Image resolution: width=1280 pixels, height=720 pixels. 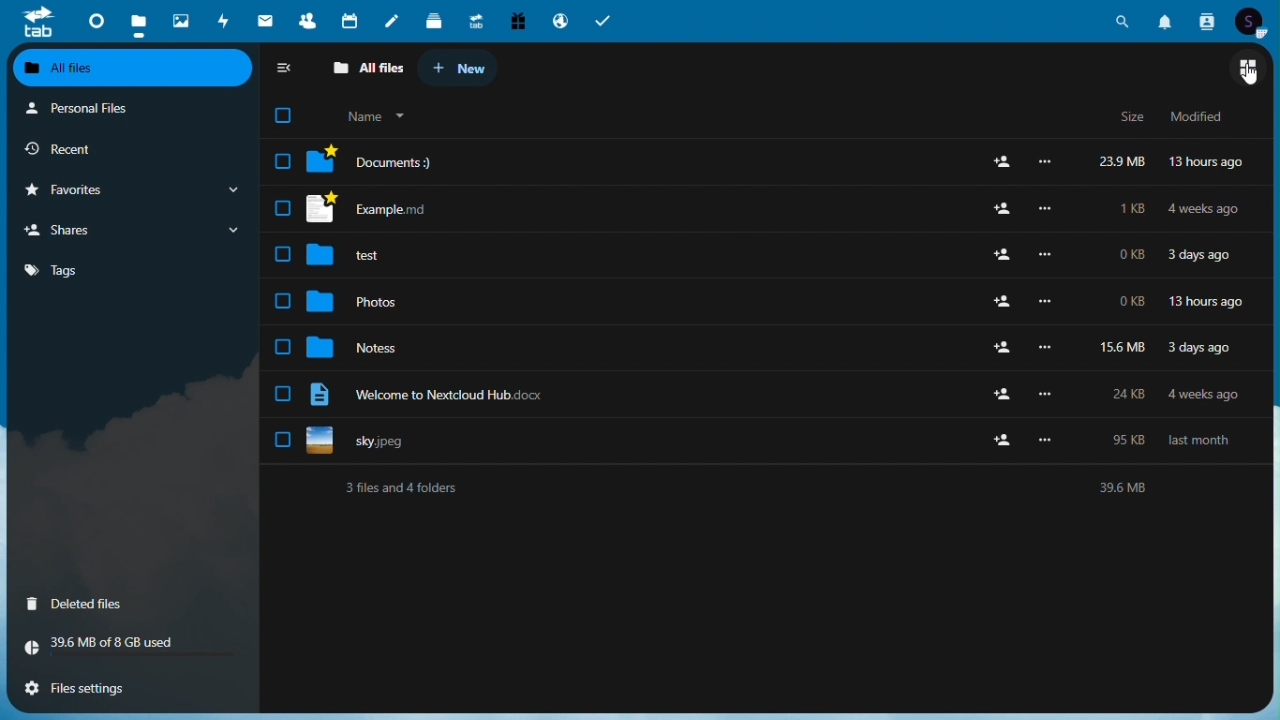 I want to click on email hosting, so click(x=558, y=20).